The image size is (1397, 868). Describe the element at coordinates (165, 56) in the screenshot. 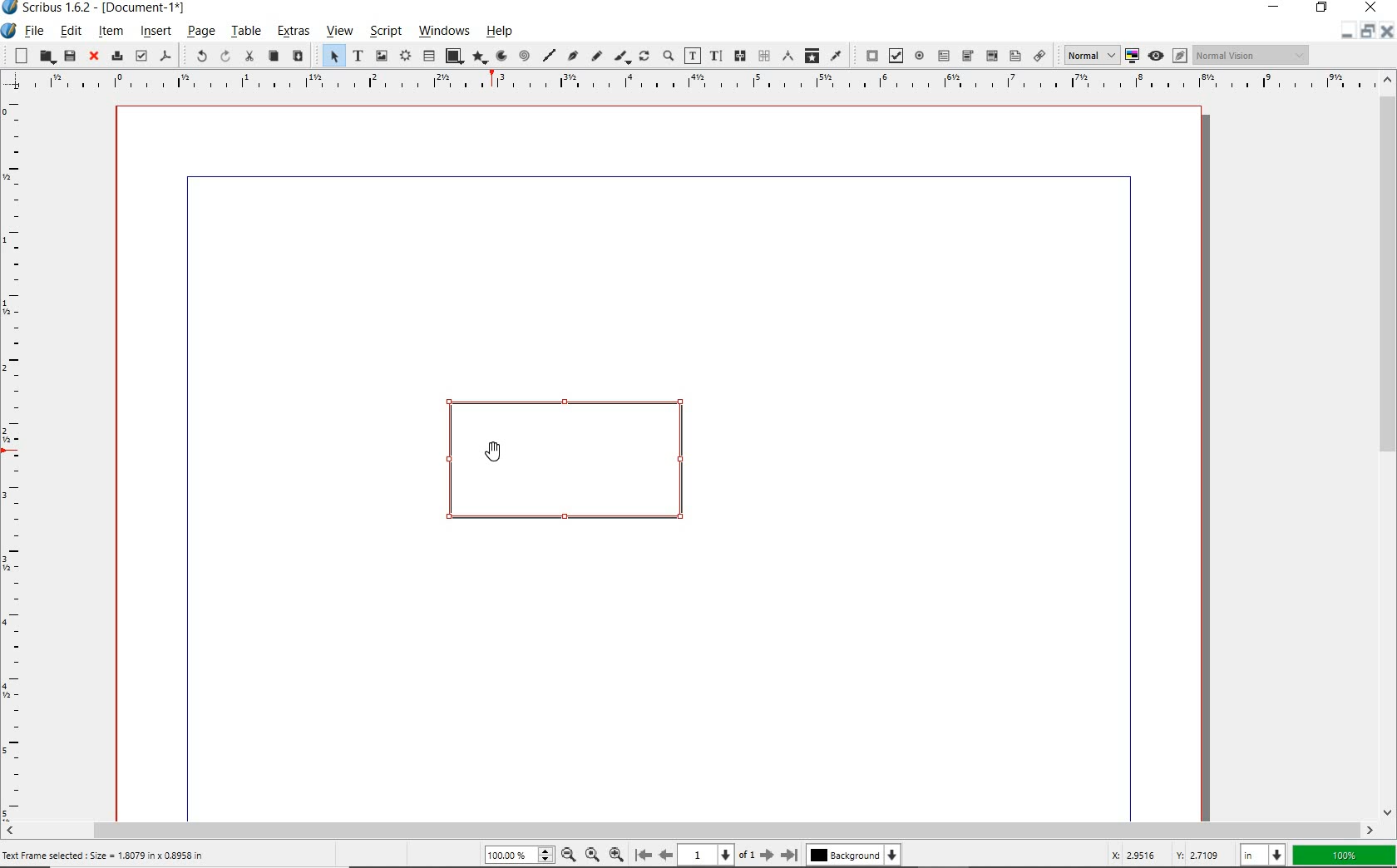

I see `save as pdf` at that location.